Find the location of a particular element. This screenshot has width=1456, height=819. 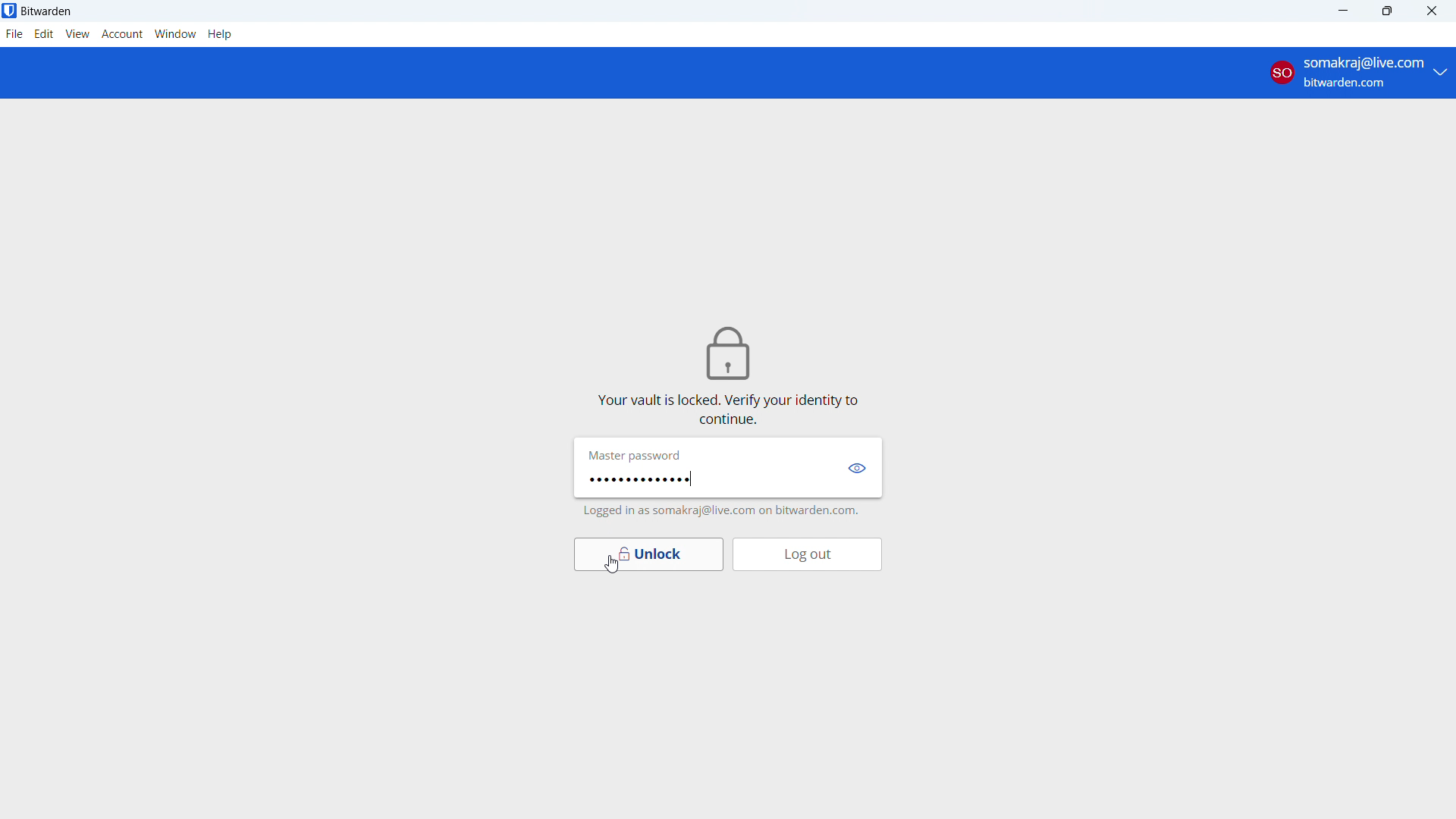

unlock is located at coordinates (648, 555).